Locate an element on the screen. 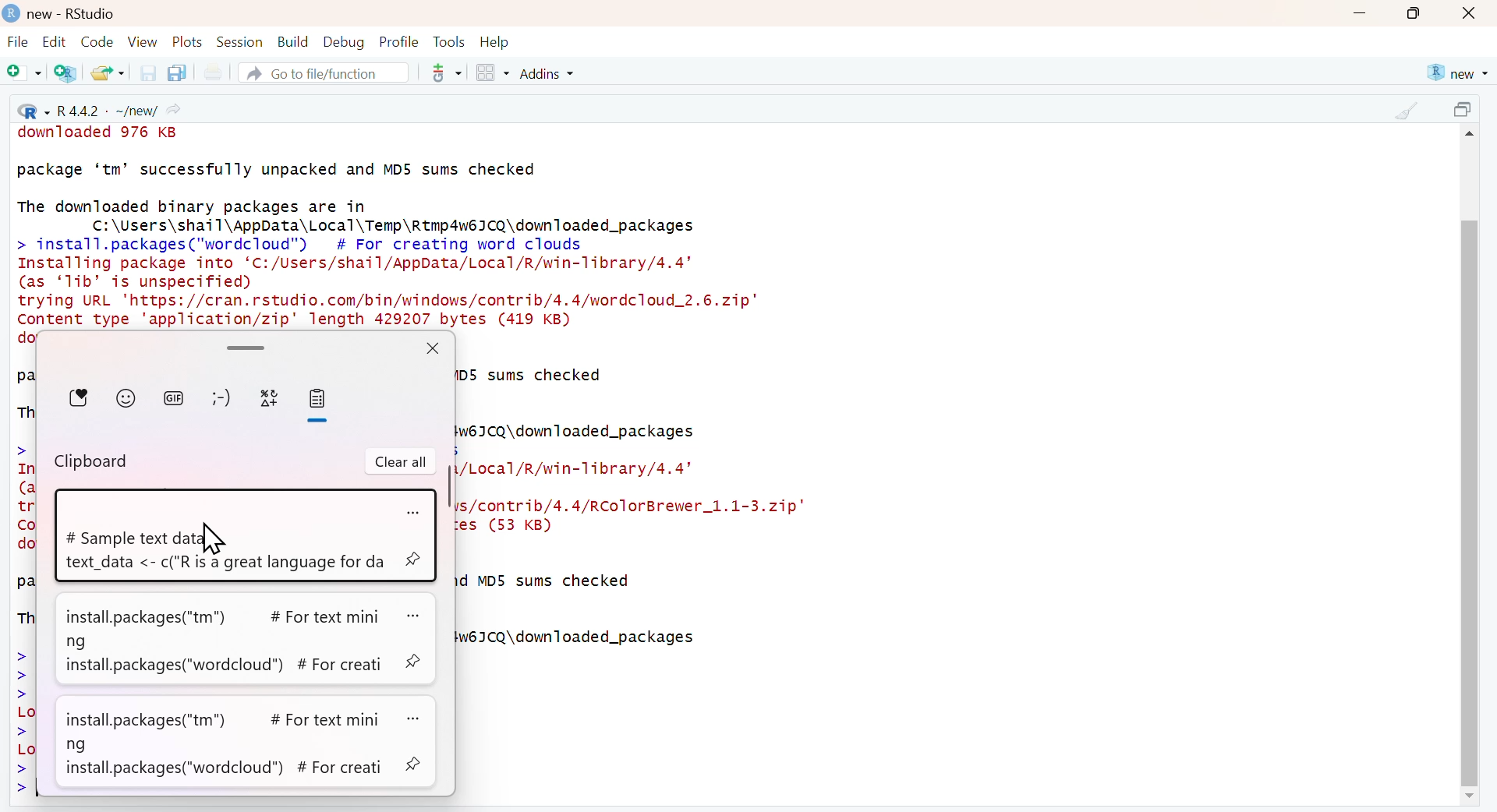 This screenshot has width=1497, height=812. scroll up is located at coordinates (1474, 135).